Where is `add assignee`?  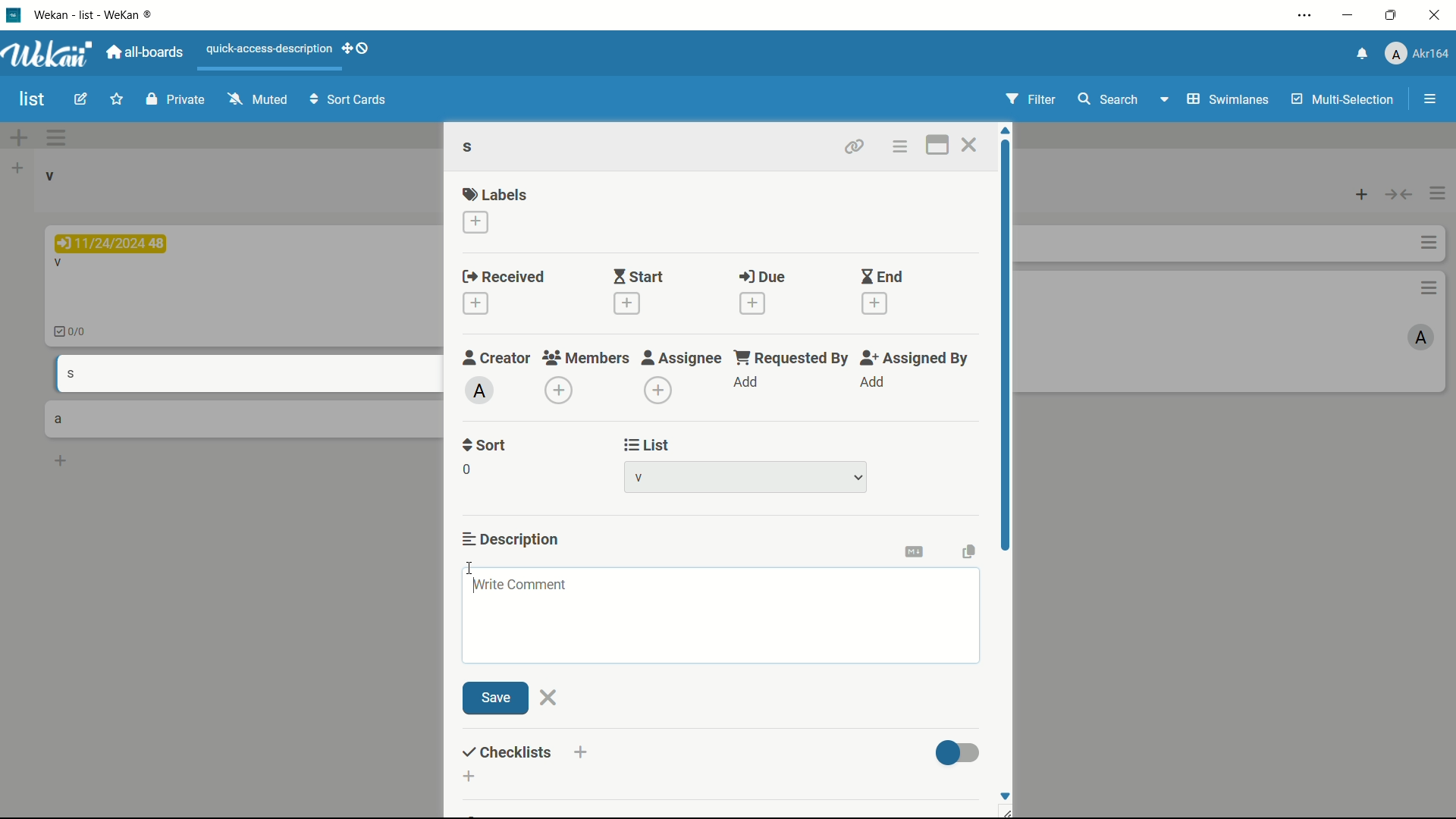
add assignee is located at coordinates (658, 391).